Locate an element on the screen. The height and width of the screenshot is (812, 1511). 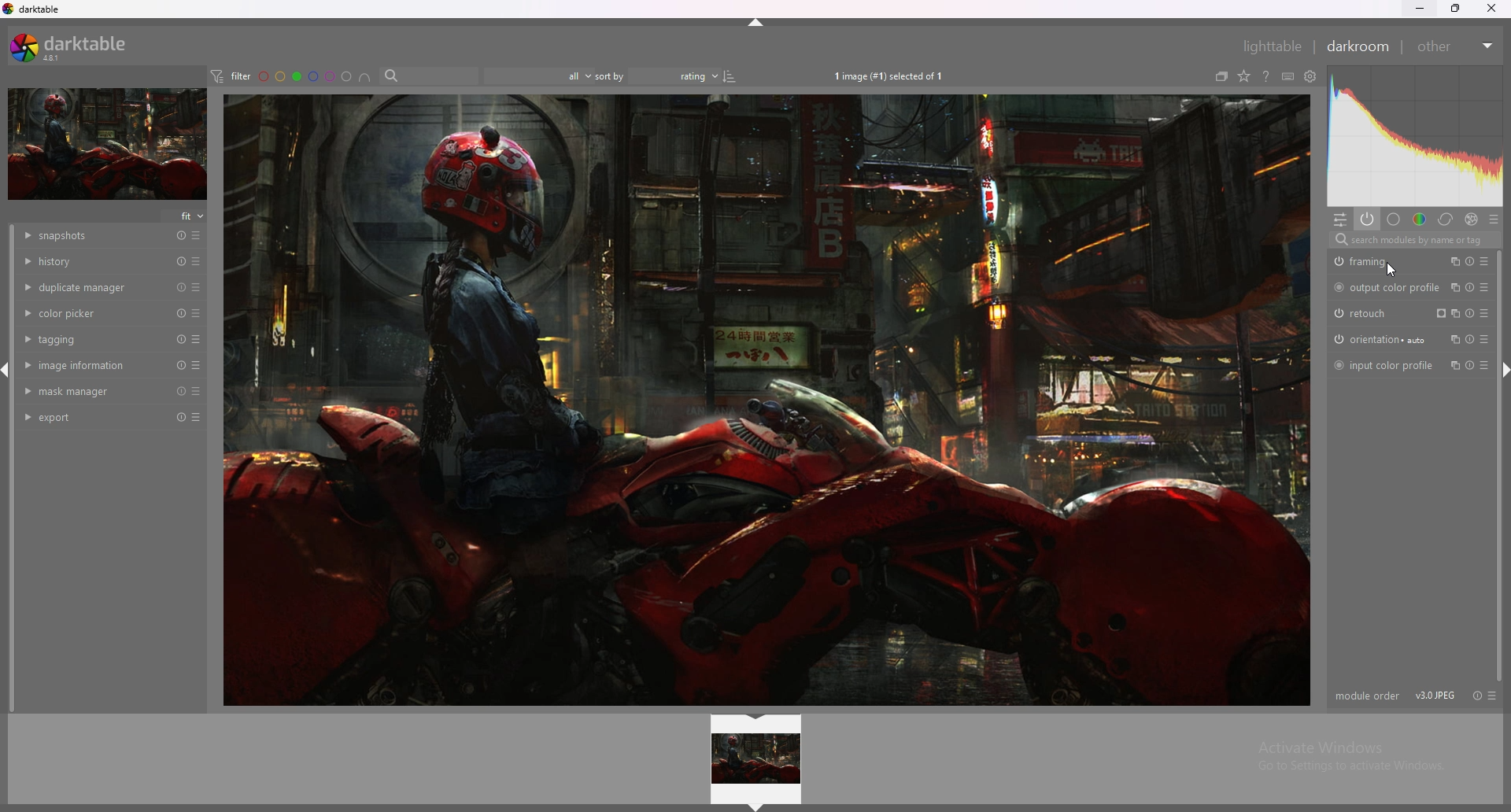
color labels is located at coordinates (306, 76).